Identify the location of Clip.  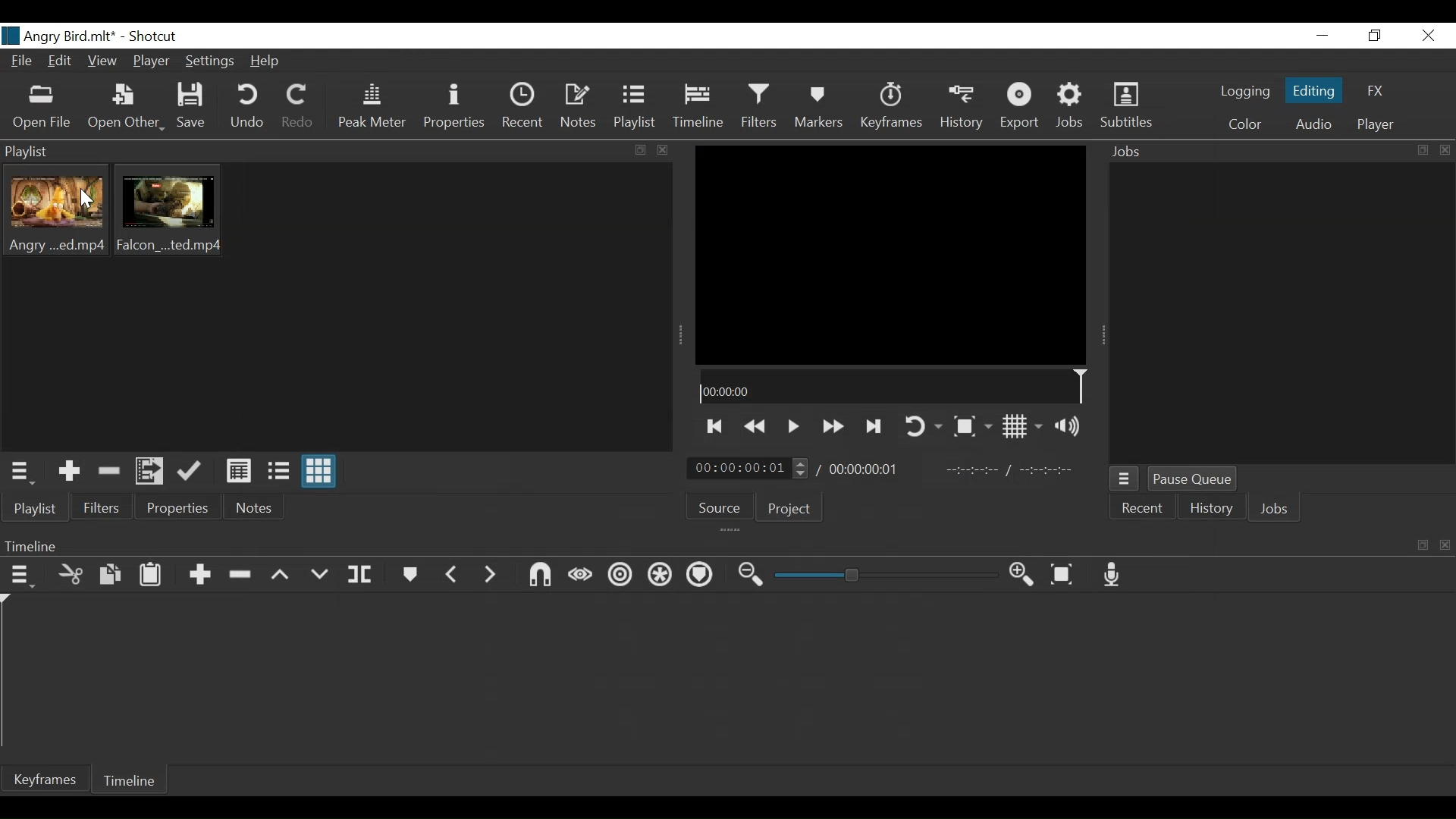
(169, 210).